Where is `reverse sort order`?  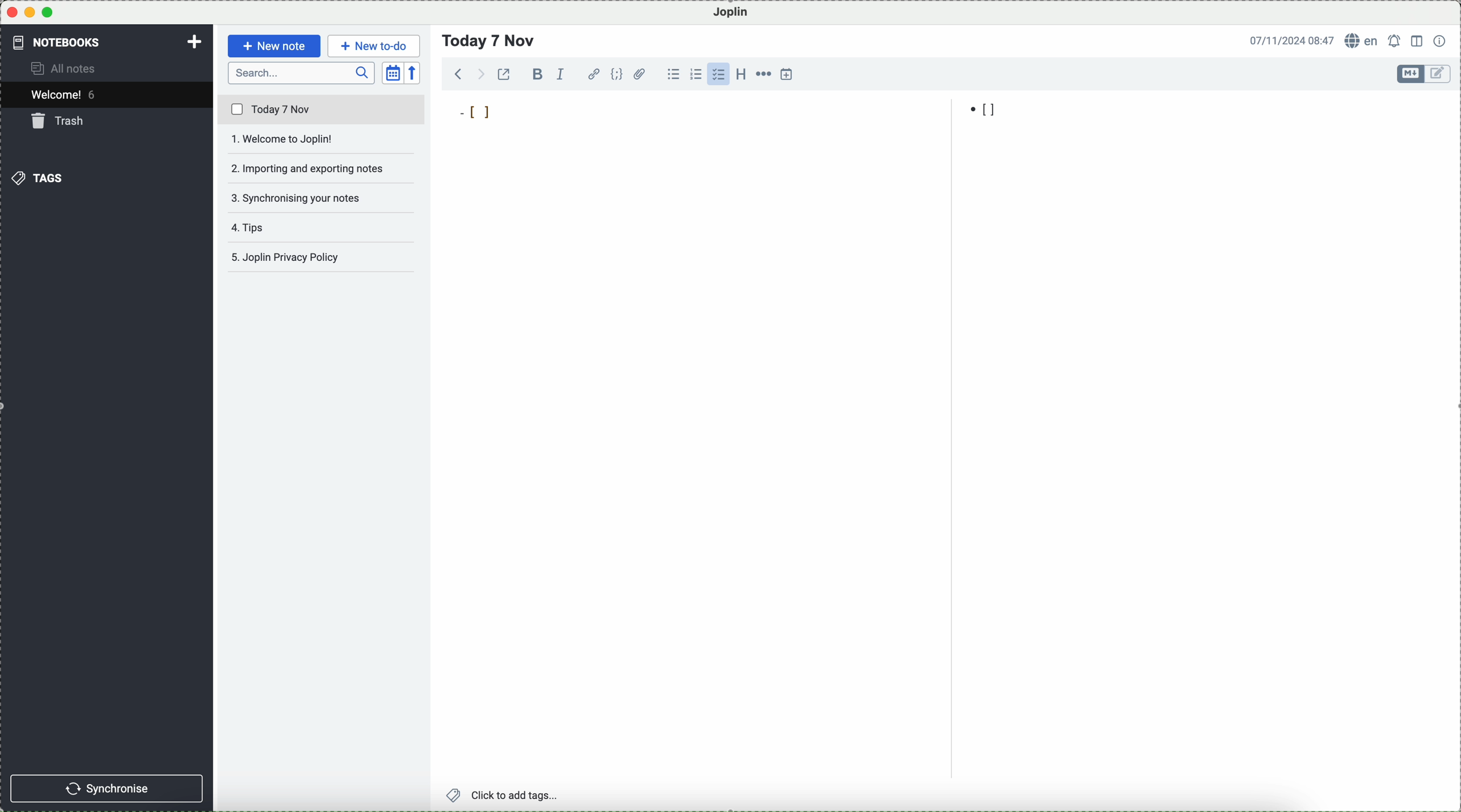
reverse sort order is located at coordinates (413, 73).